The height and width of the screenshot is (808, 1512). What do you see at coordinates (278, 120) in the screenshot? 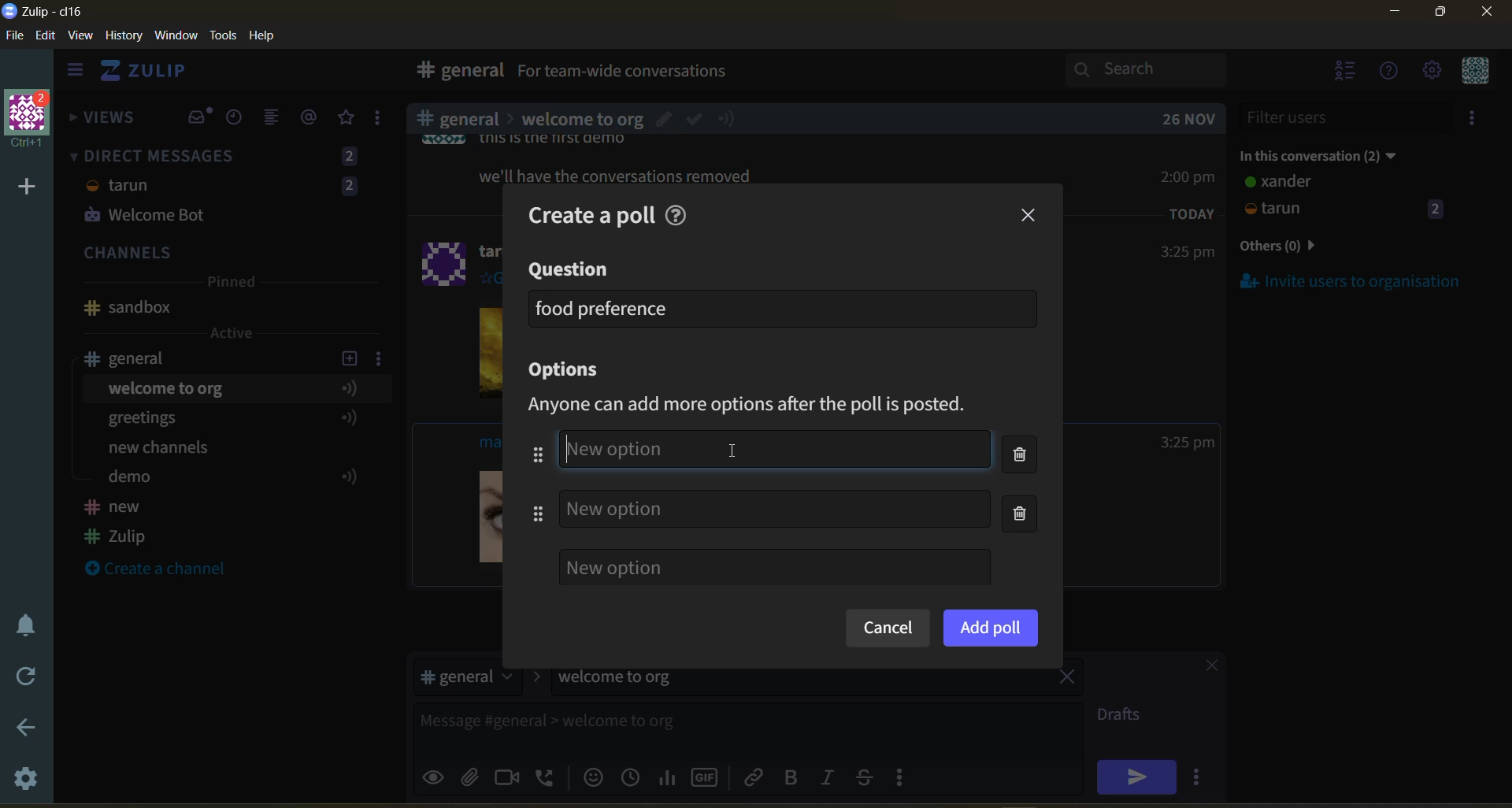
I see `combined feed` at bounding box center [278, 120].